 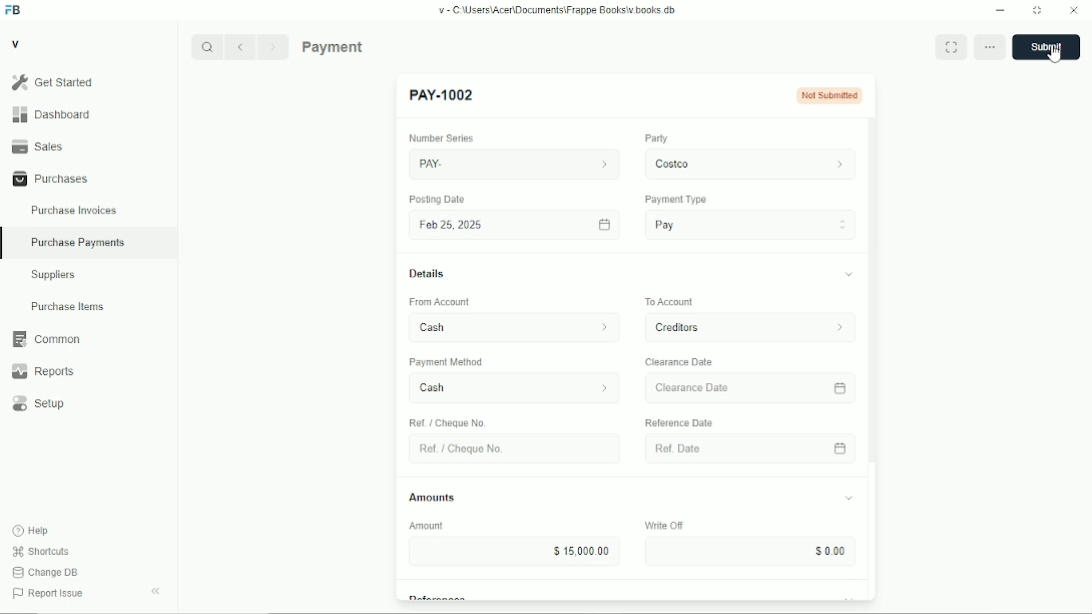 What do you see at coordinates (438, 200) in the screenshot?
I see `Posting Date` at bounding box center [438, 200].